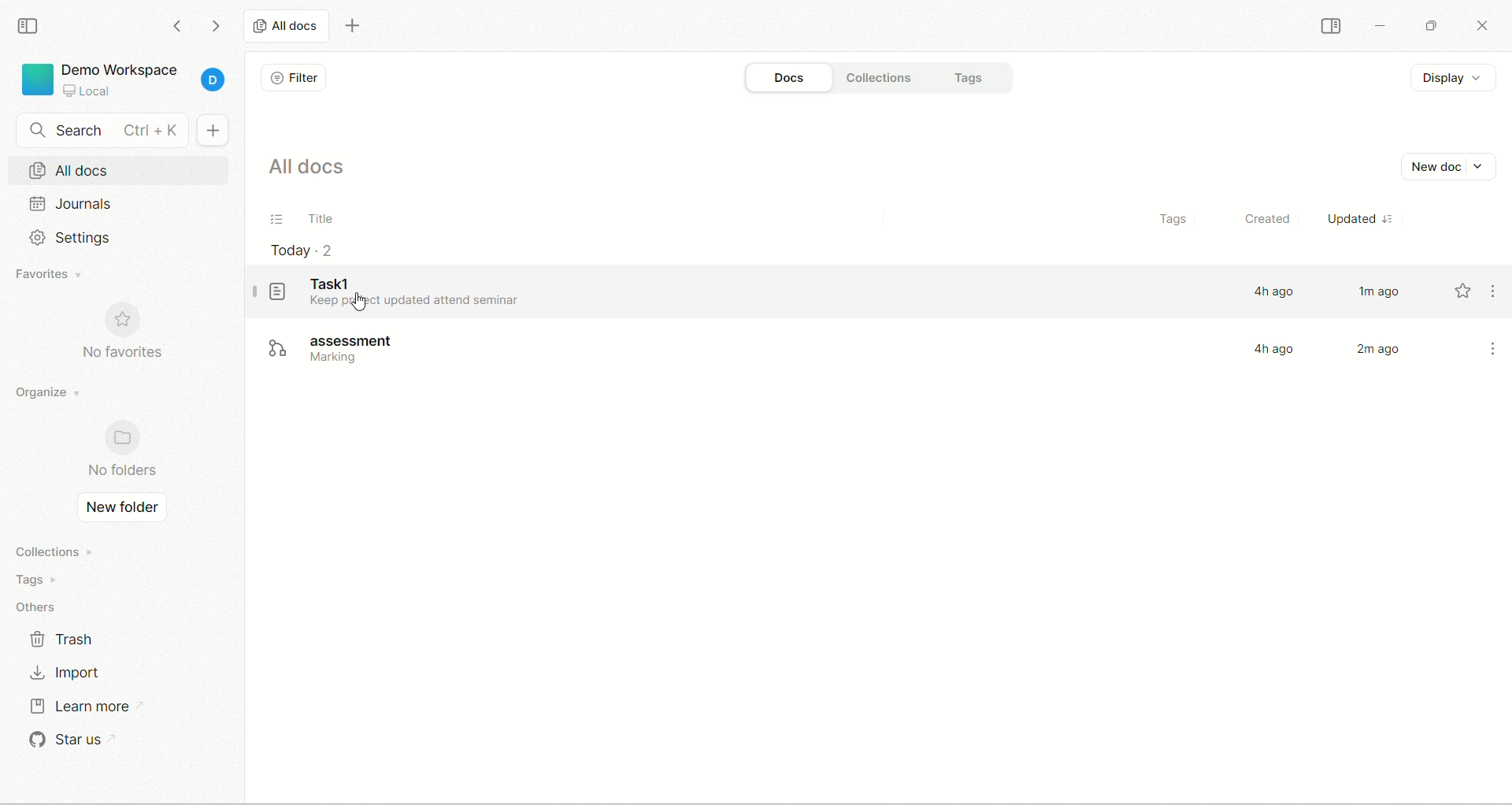  What do you see at coordinates (1376, 289) in the screenshot?
I see `1m ago` at bounding box center [1376, 289].